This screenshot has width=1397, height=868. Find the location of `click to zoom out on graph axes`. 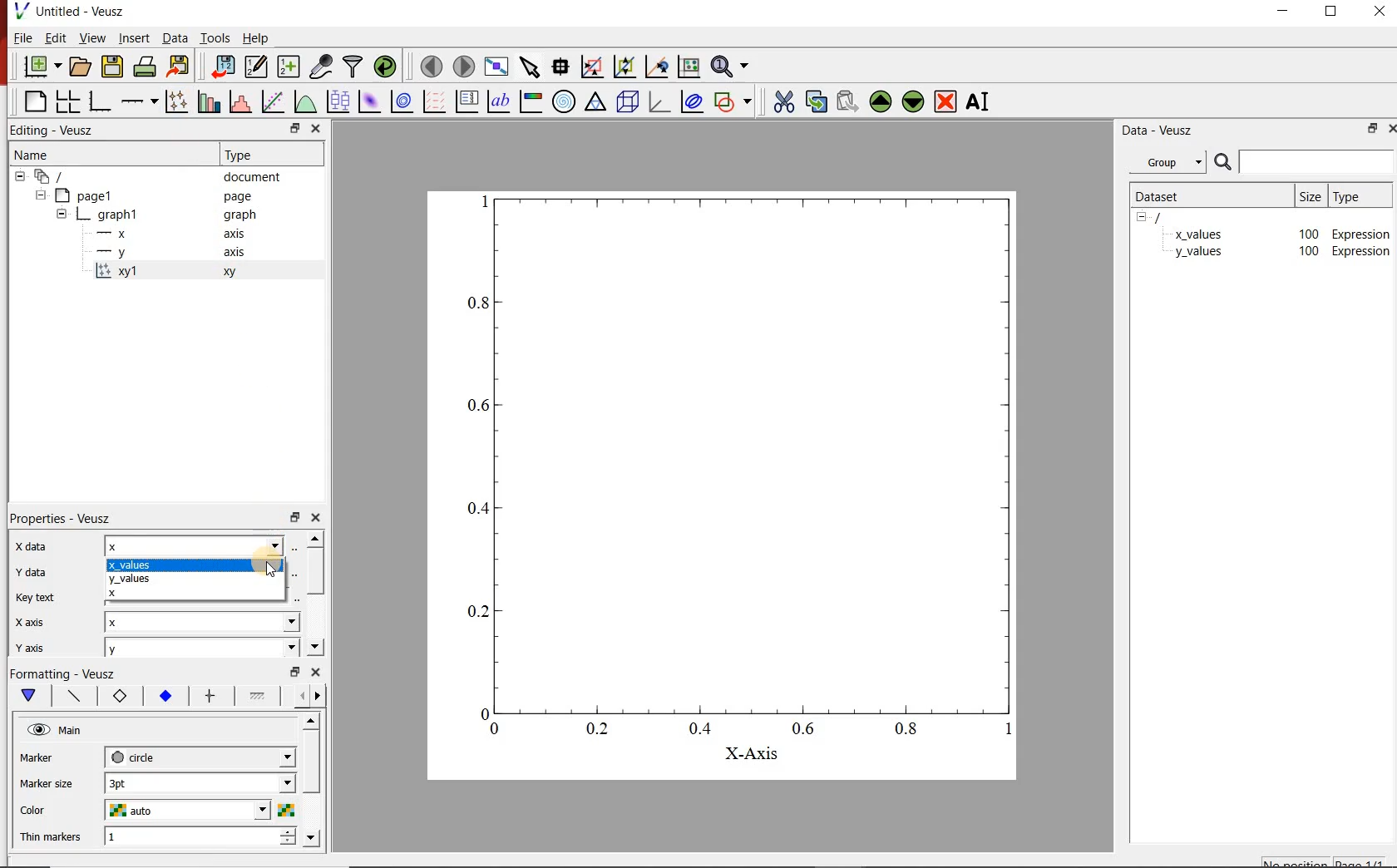

click to zoom out on graph axes is located at coordinates (622, 67).